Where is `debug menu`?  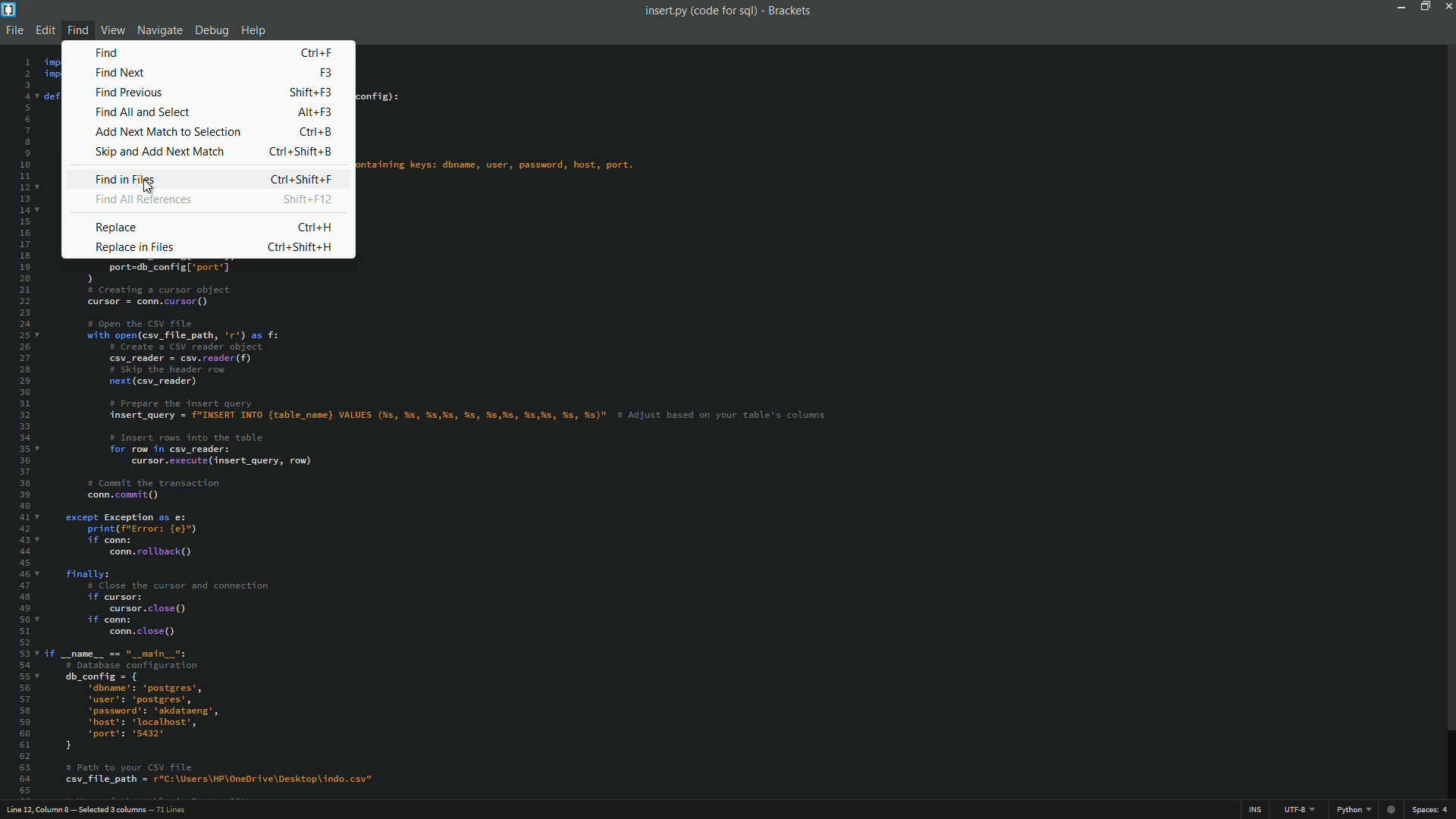
debug menu is located at coordinates (211, 32).